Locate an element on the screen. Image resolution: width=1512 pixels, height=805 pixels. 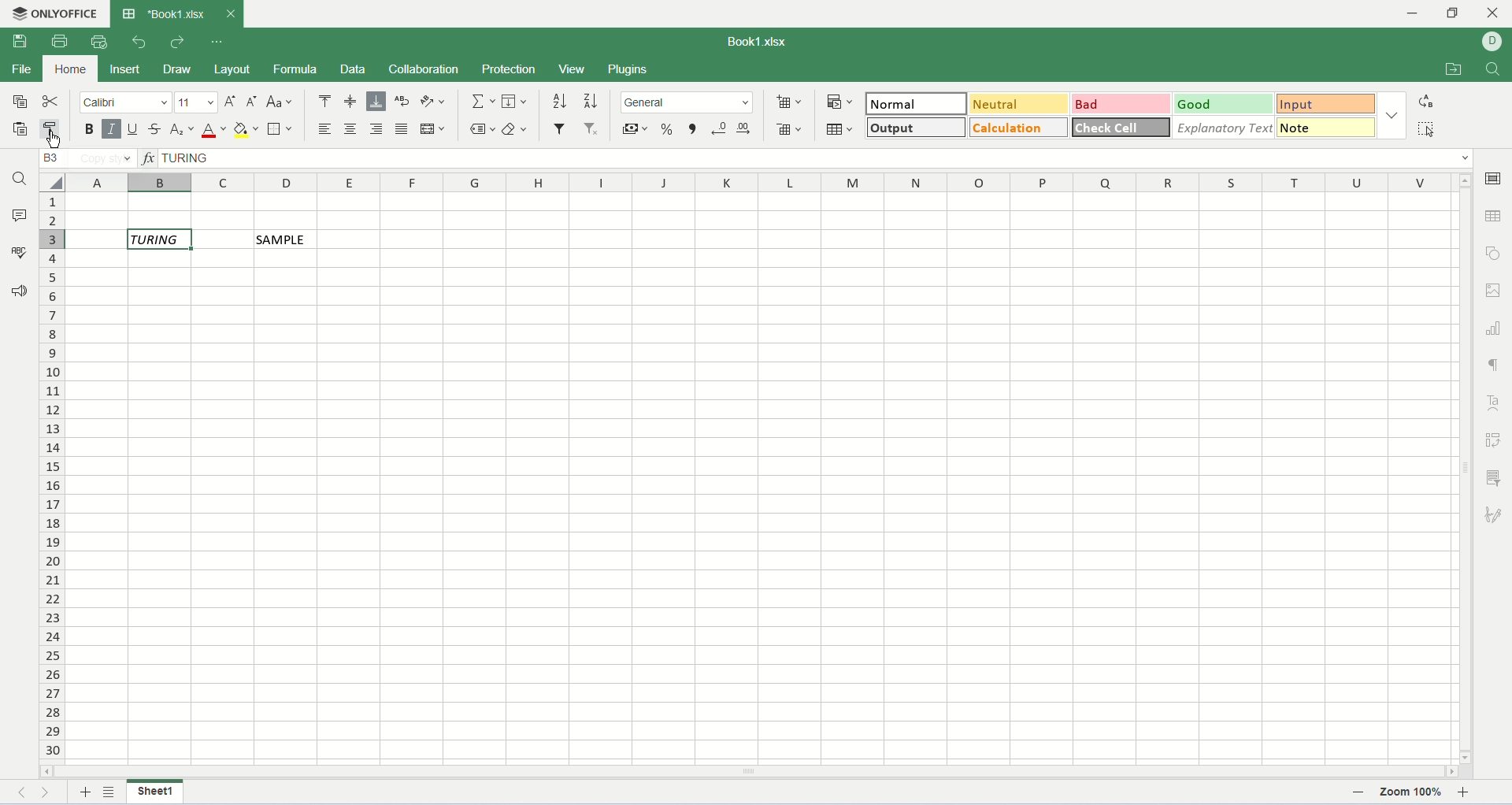
paste is located at coordinates (16, 129).